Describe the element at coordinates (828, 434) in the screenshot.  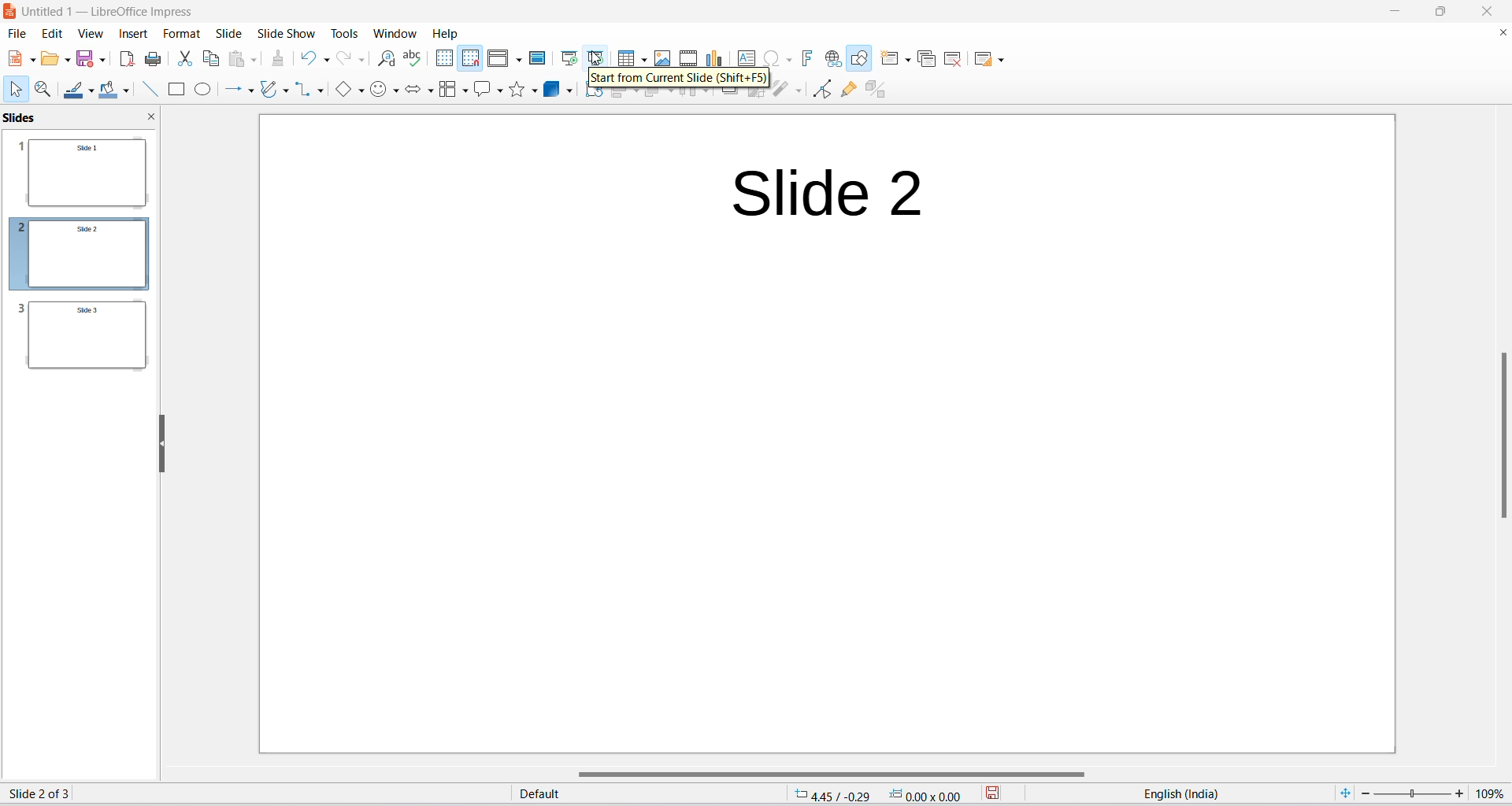
I see `canvas` at that location.